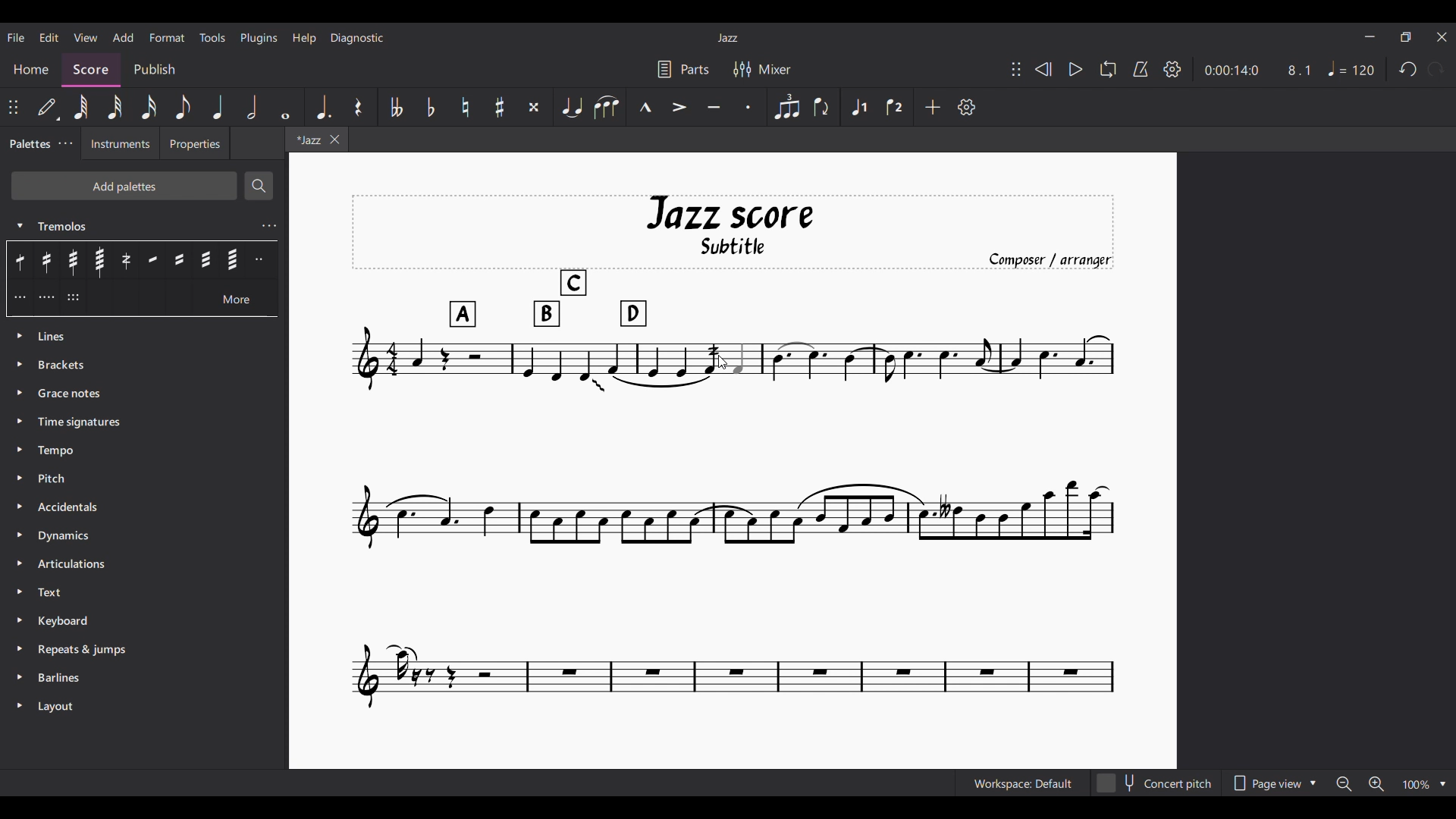  I want to click on Divide measured Tremolo by 6, so click(73, 297).